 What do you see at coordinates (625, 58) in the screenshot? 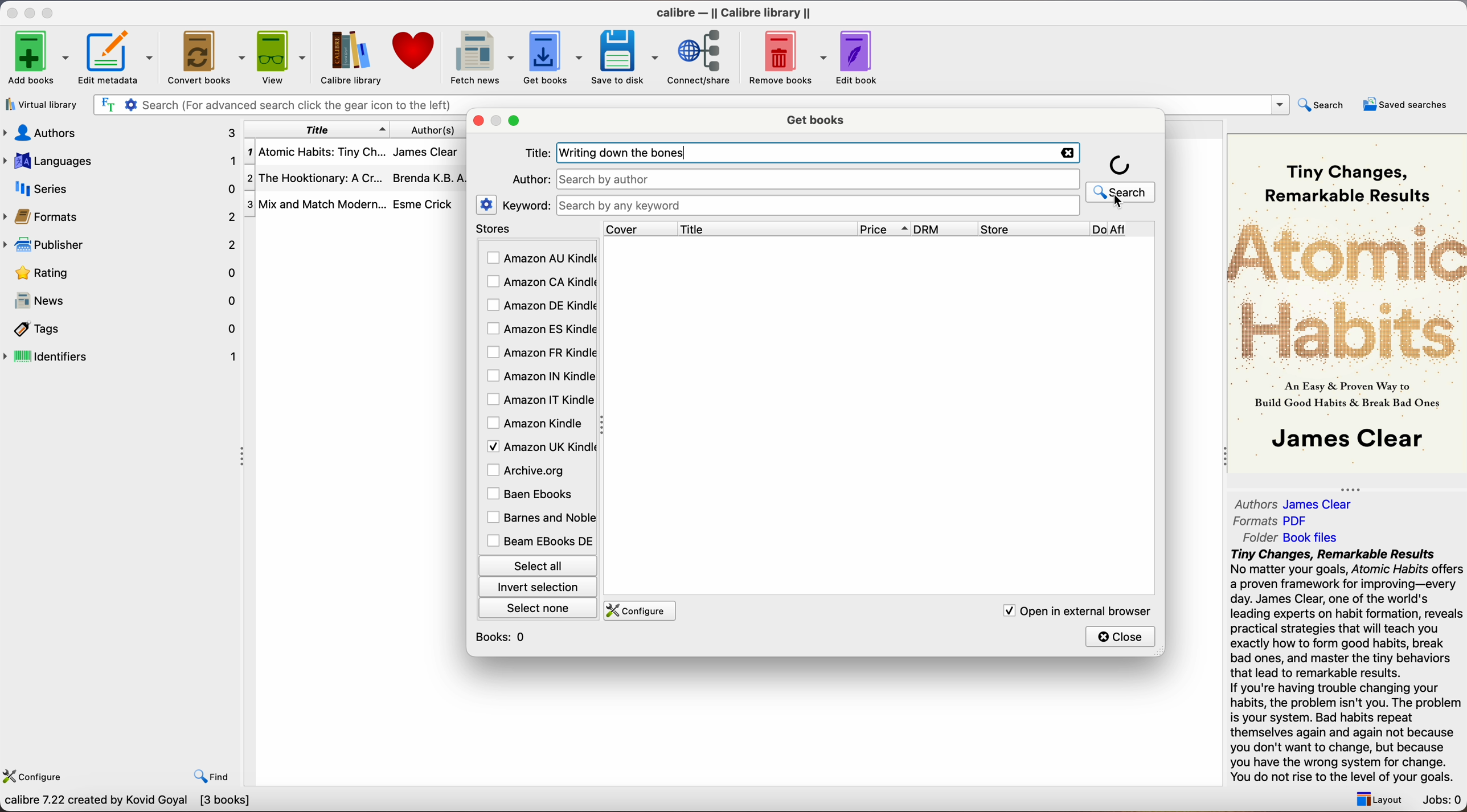
I see `save to disk` at bounding box center [625, 58].